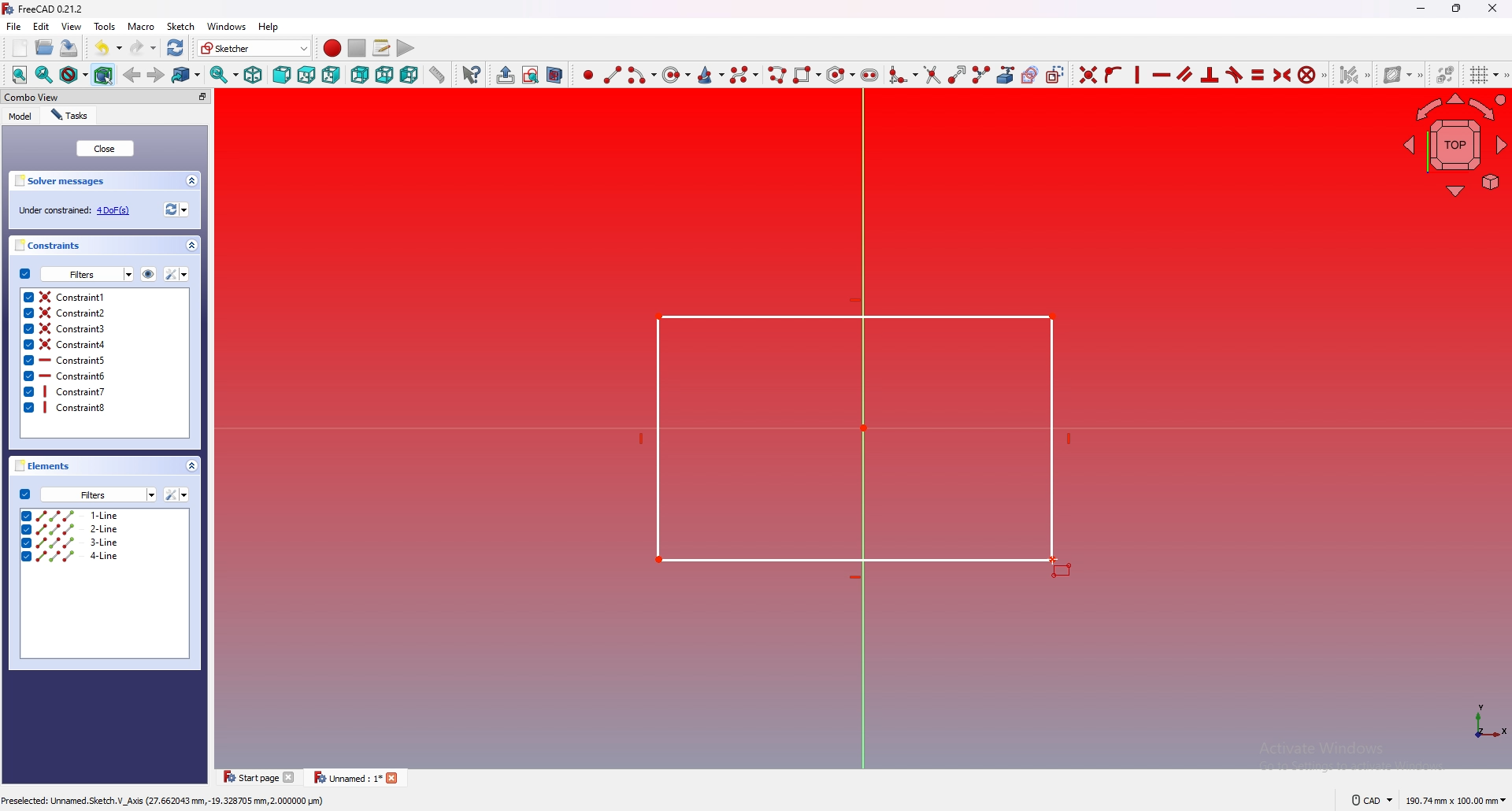  I want to click on split edge, so click(982, 75).